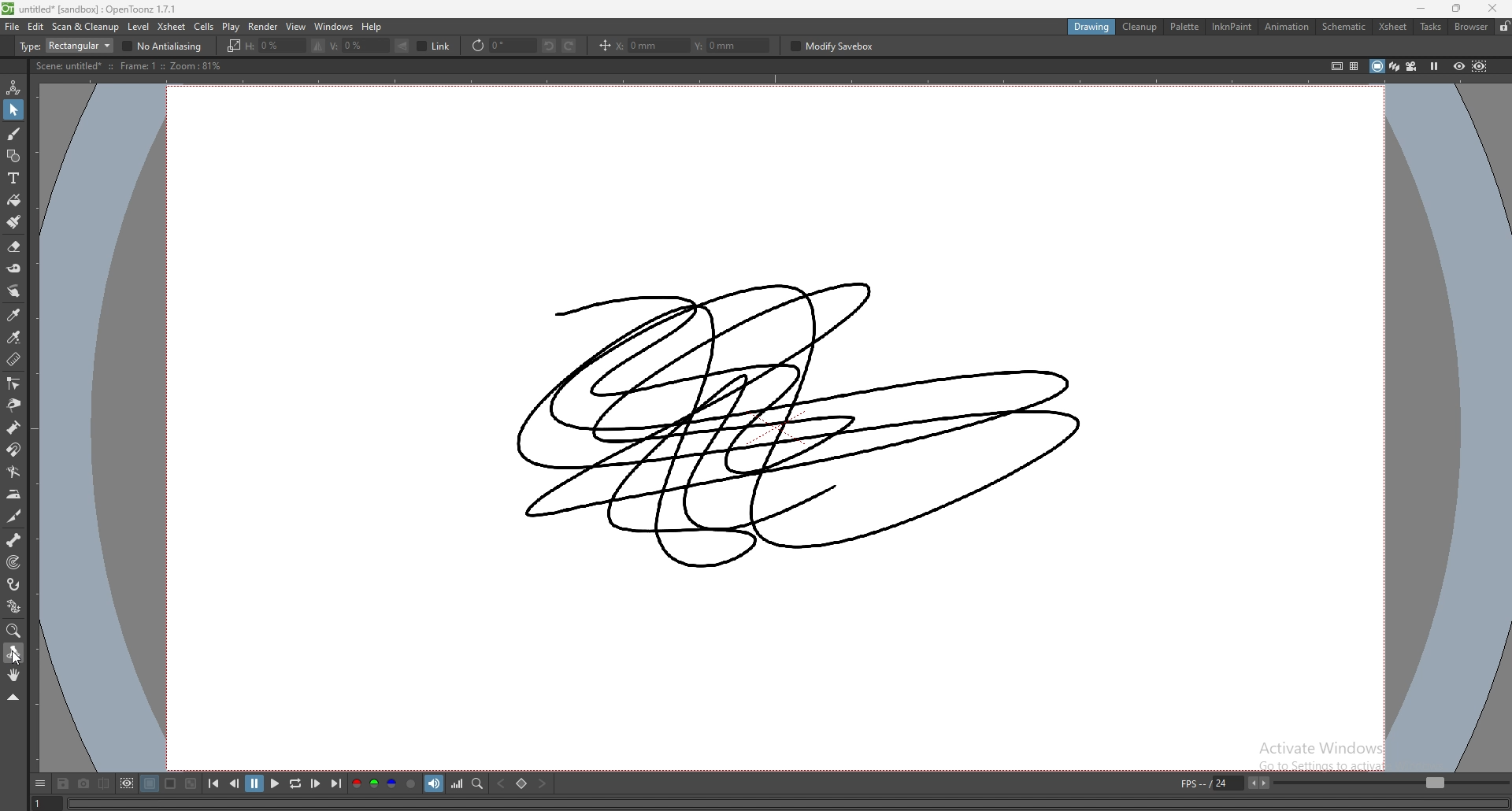 This screenshot has width=1512, height=811. Describe the element at coordinates (411, 784) in the screenshot. I see `alpha channel` at that location.